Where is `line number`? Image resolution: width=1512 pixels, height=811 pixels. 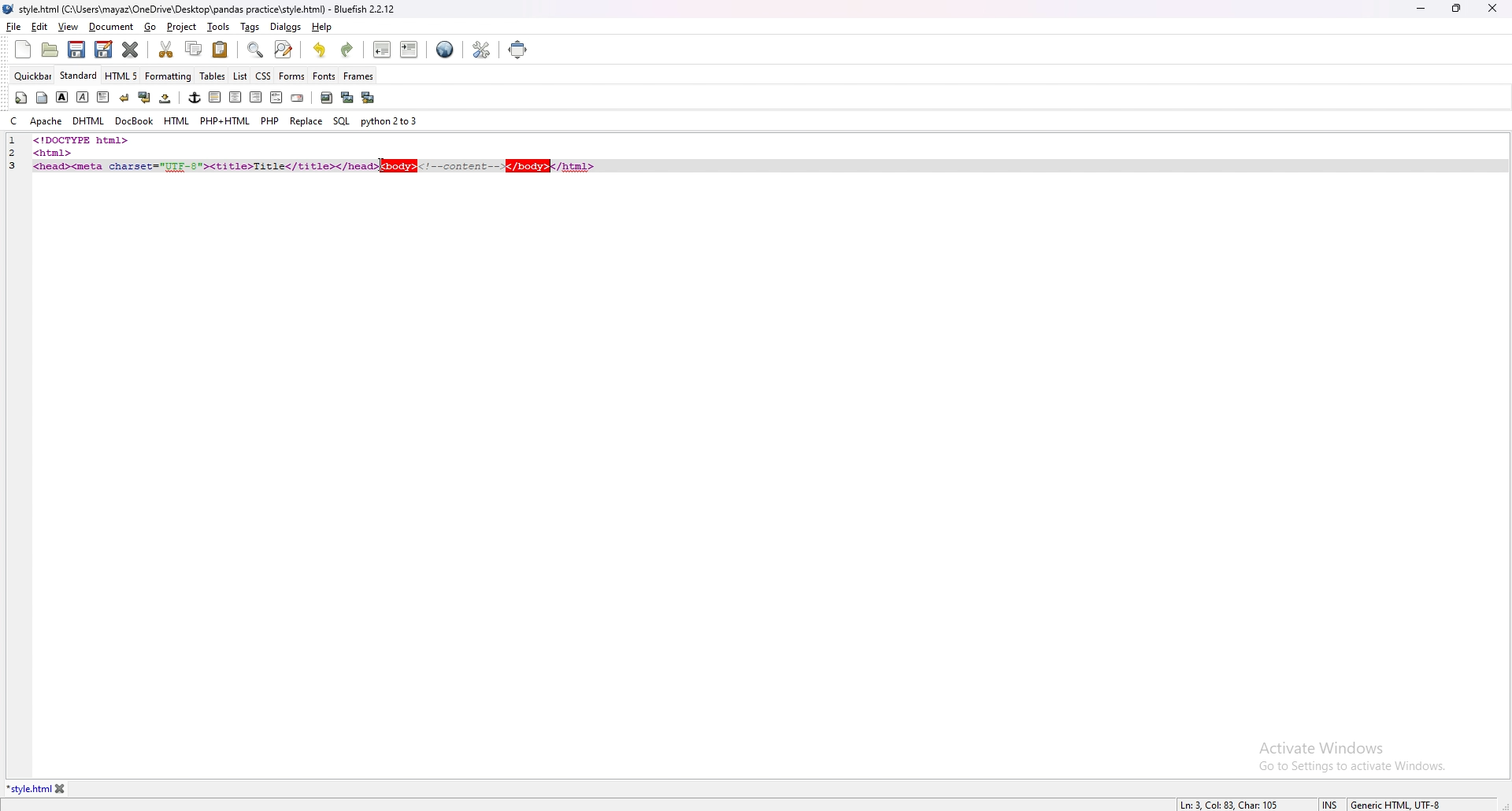 line number is located at coordinates (13, 141).